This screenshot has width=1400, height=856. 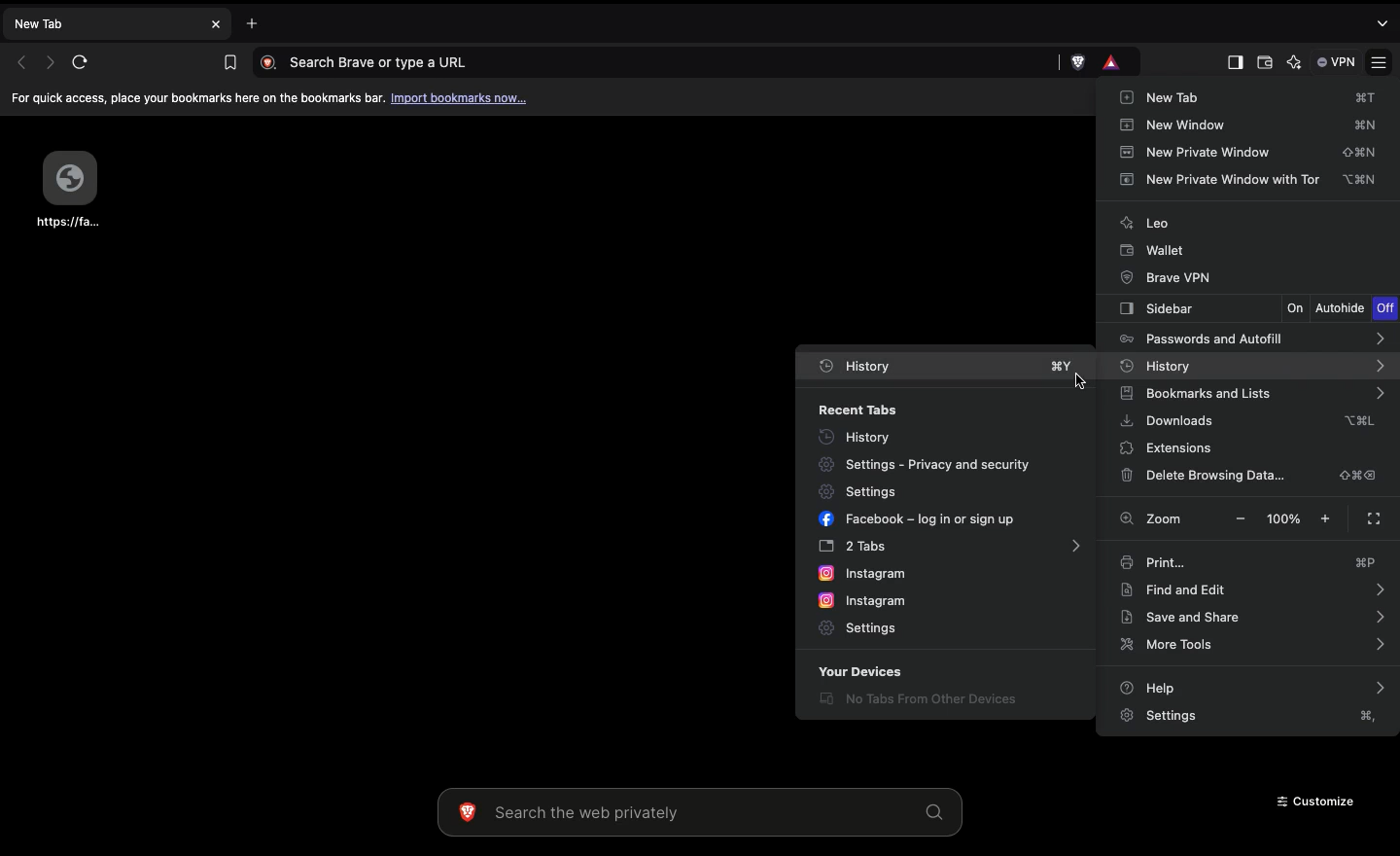 What do you see at coordinates (1244, 366) in the screenshot?
I see `History` at bounding box center [1244, 366].